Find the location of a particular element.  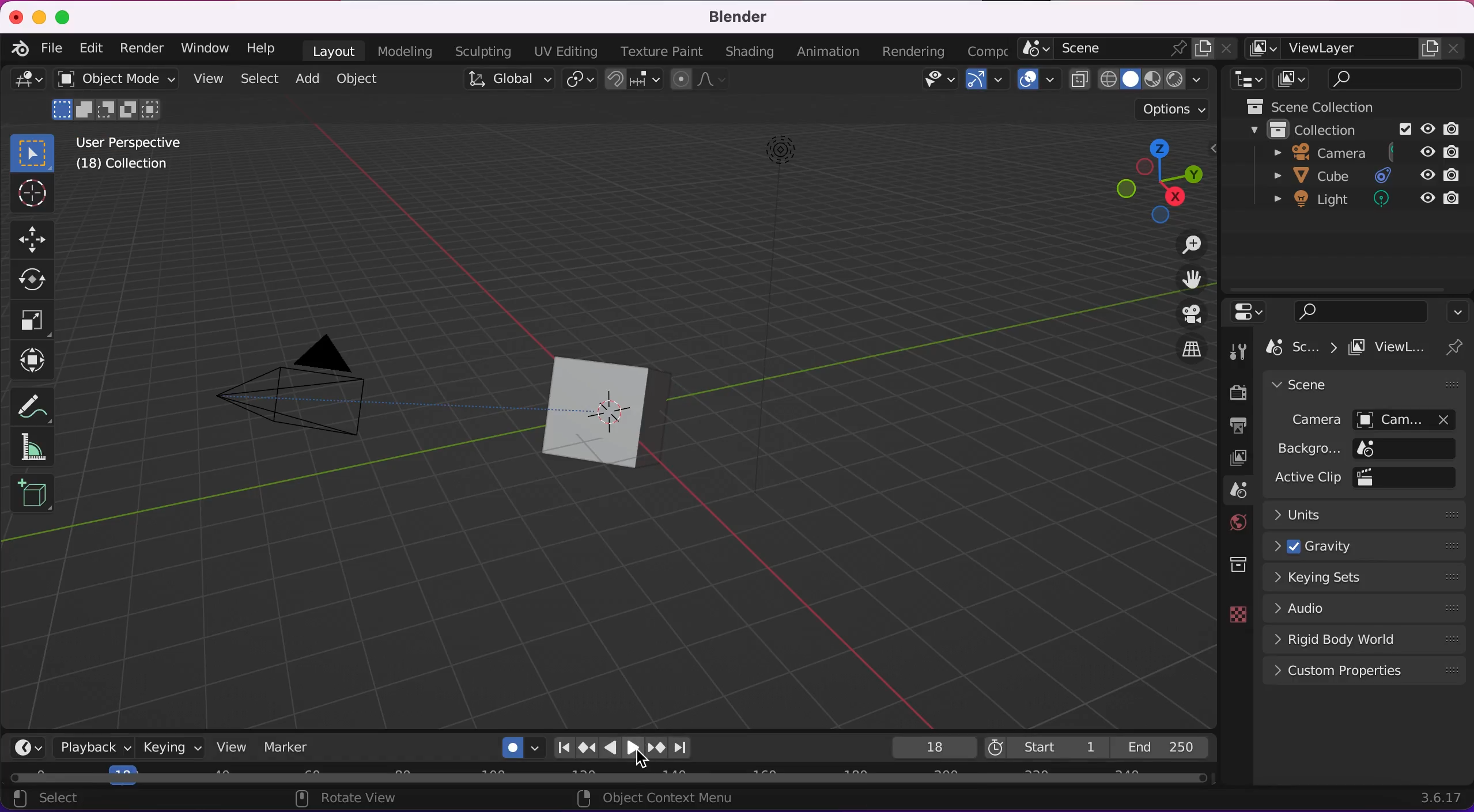

click, shortcut, drag is located at coordinates (1161, 181).